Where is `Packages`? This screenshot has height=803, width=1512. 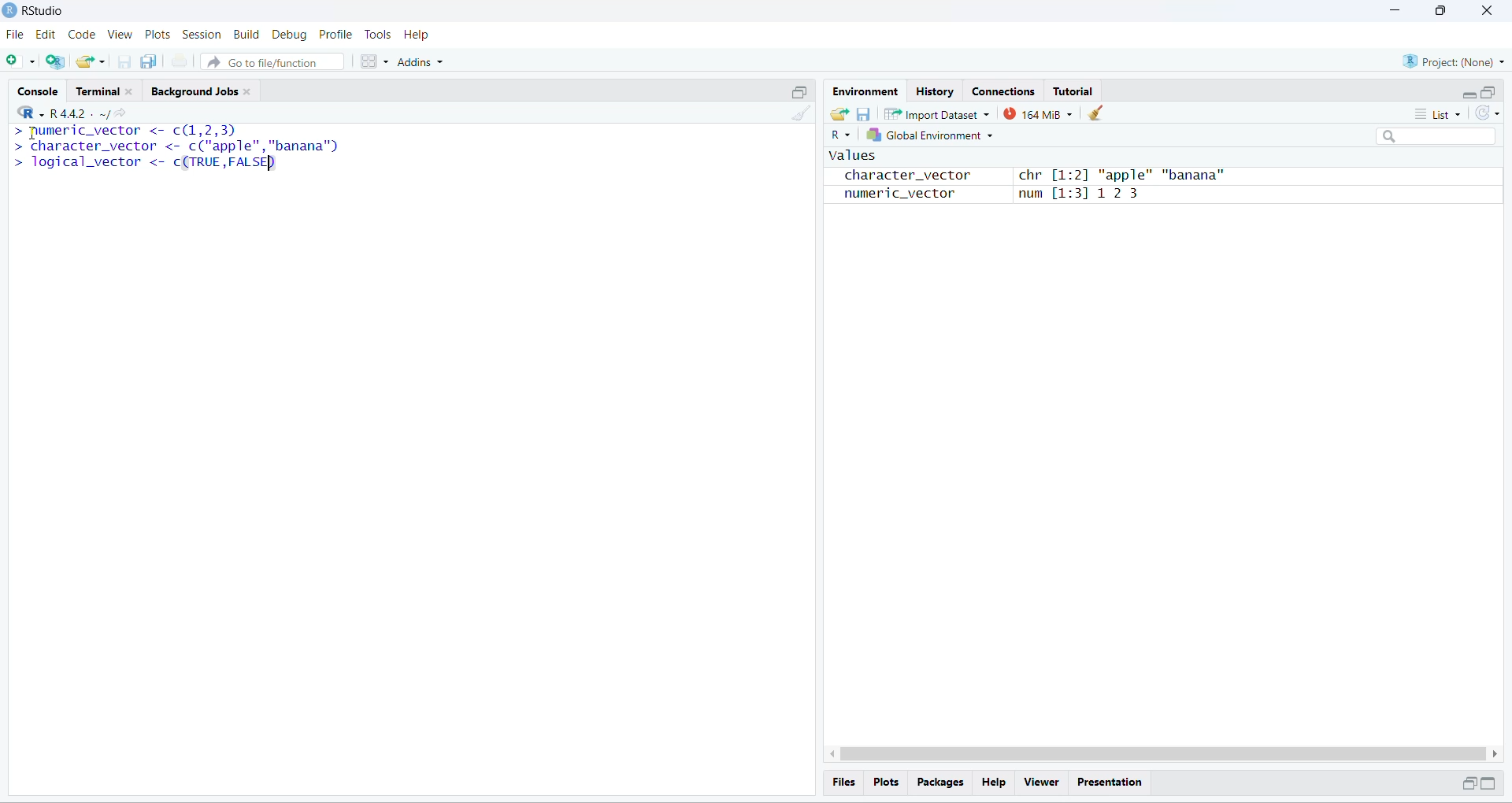
Packages is located at coordinates (940, 783).